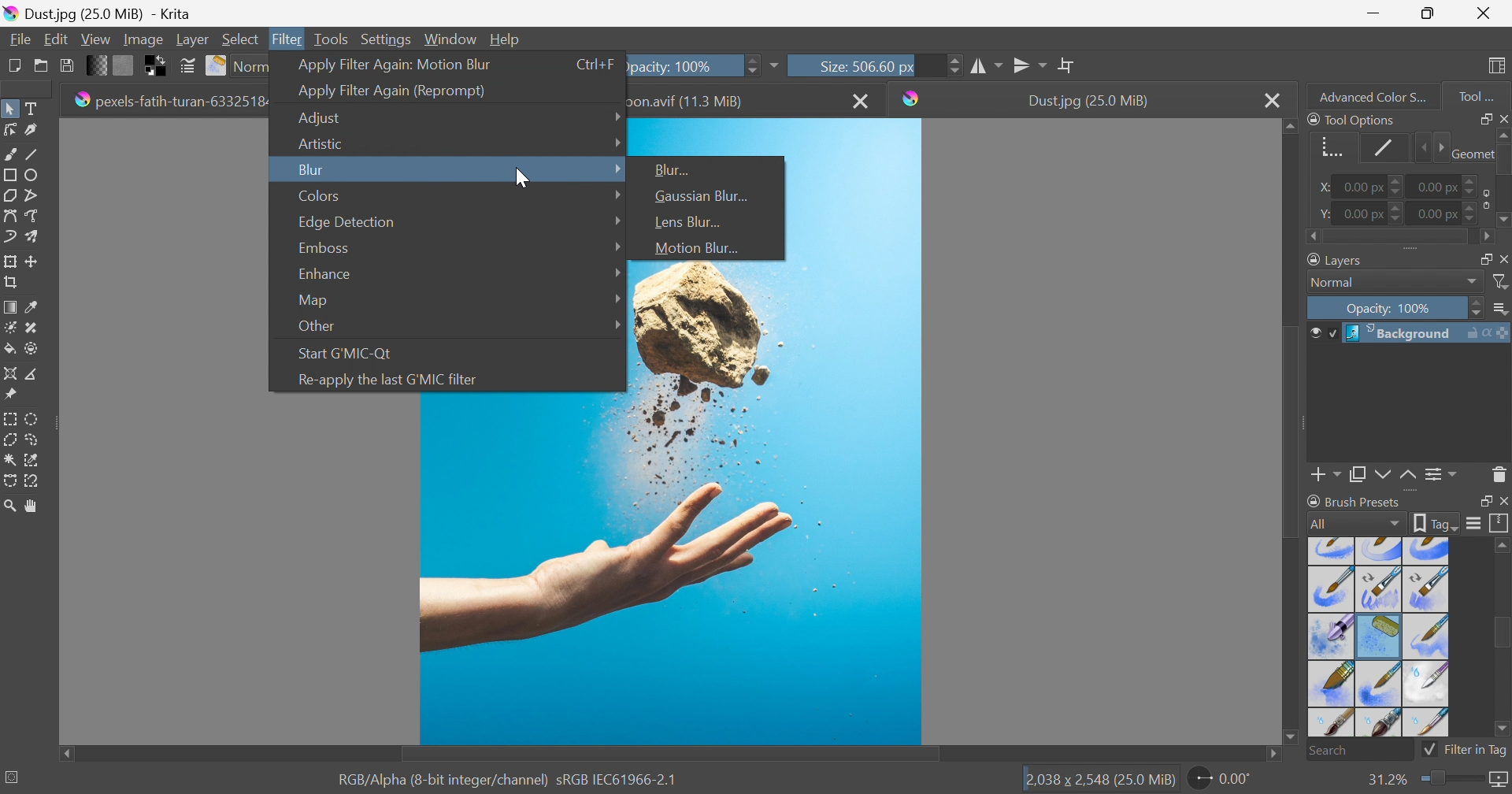 The width and height of the screenshot is (1512, 794). Describe the element at coordinates (1502, 282) in the screenshot. I see `Filter` at that location.